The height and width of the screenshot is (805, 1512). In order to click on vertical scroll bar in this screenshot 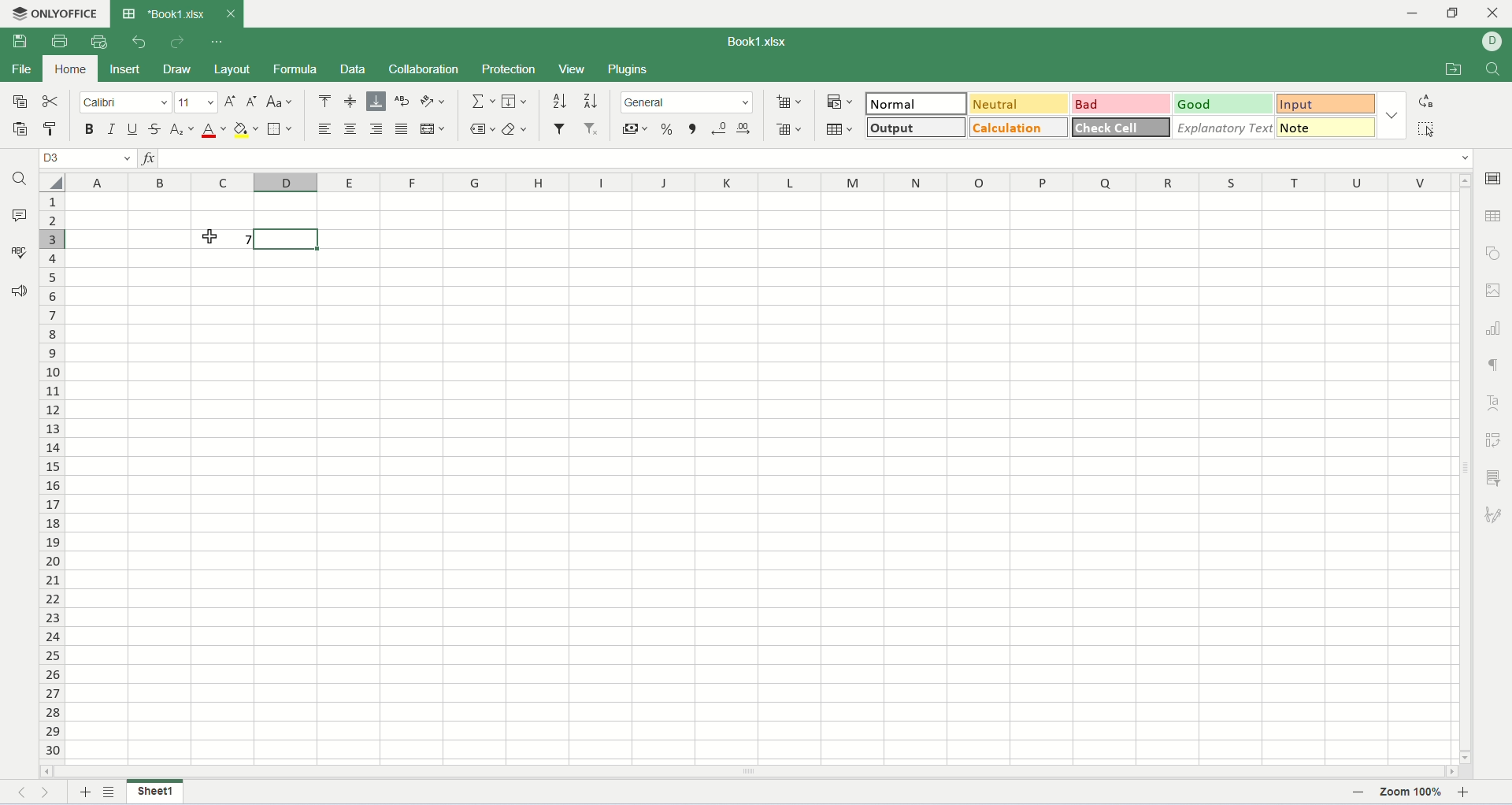, I will do `click(1463, 466)`.